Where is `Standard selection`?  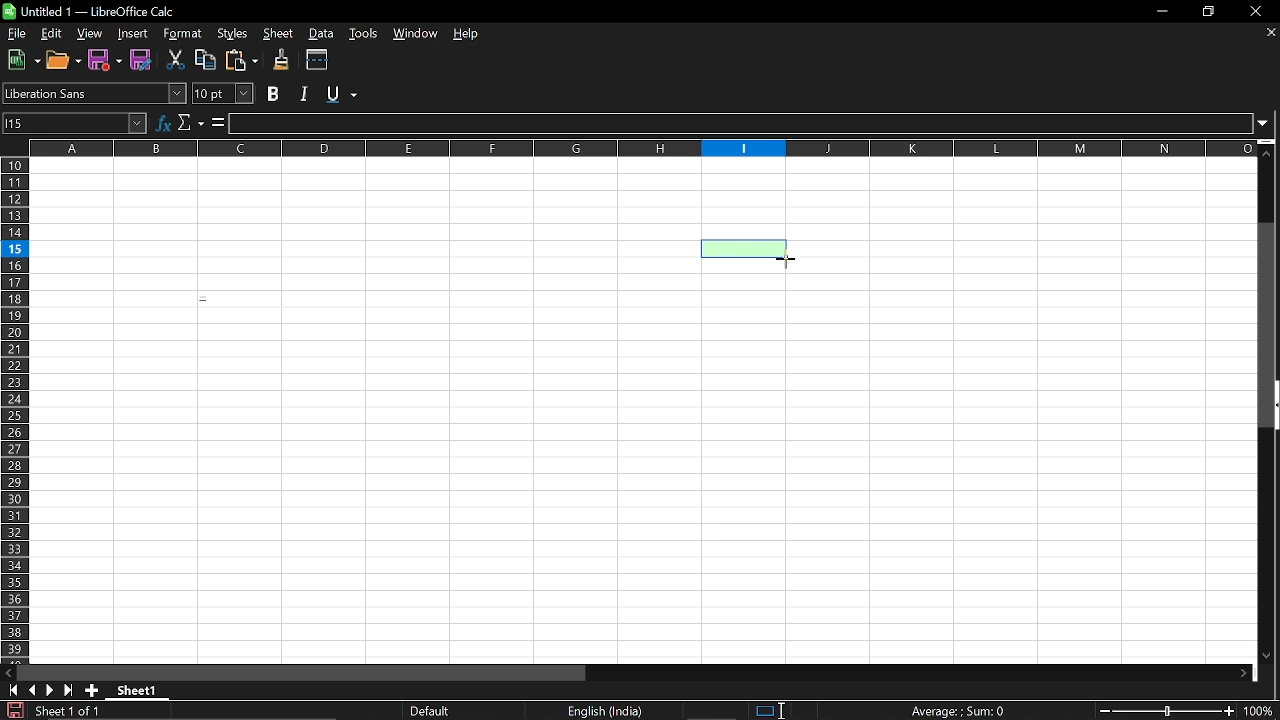
Standard selection is located at coordinates (762, 709).